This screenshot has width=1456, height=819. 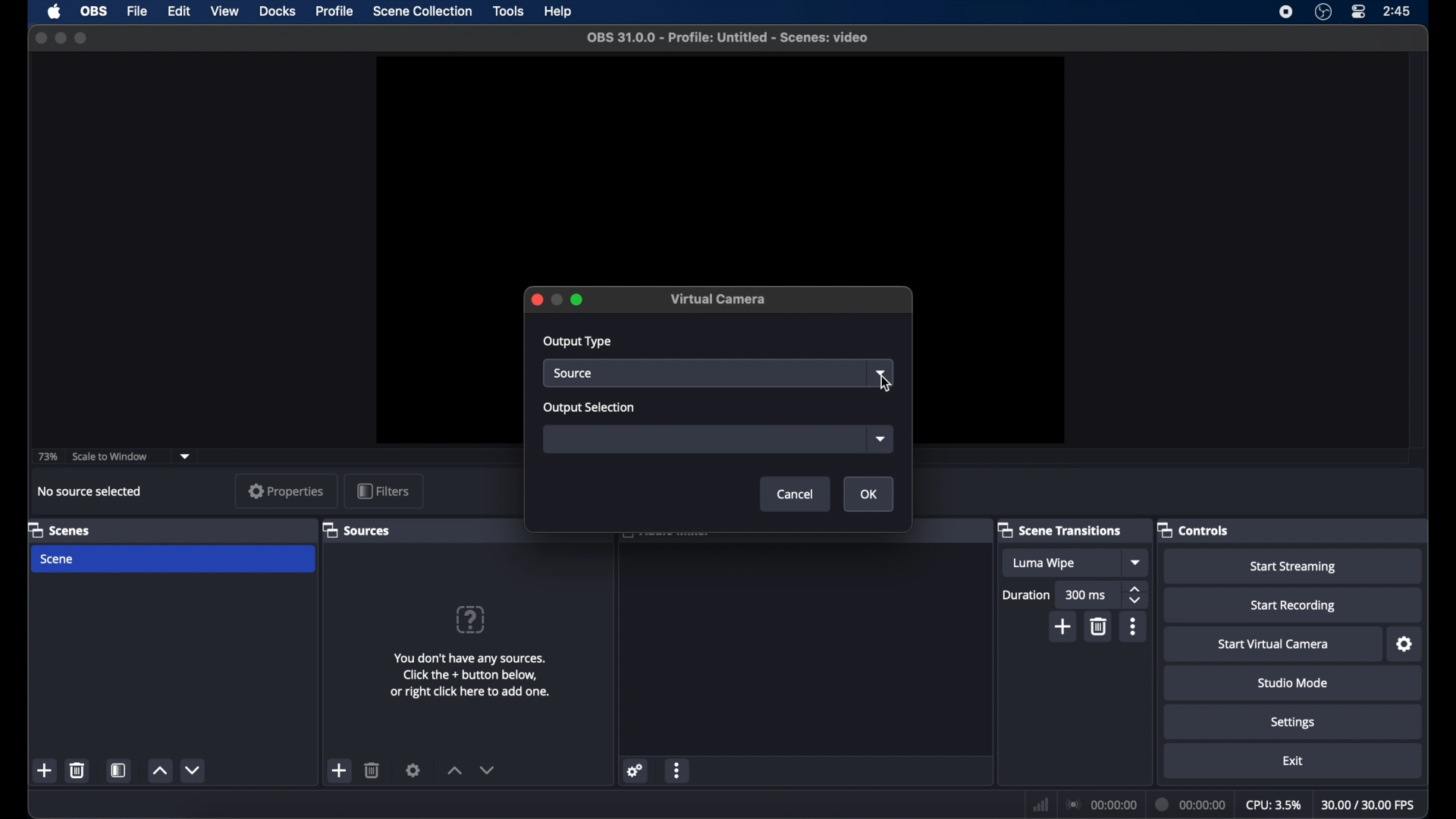 What do you see at coordinates (158, 771) in the screenshot?
I see `increment` at bounding box center [158, 771].